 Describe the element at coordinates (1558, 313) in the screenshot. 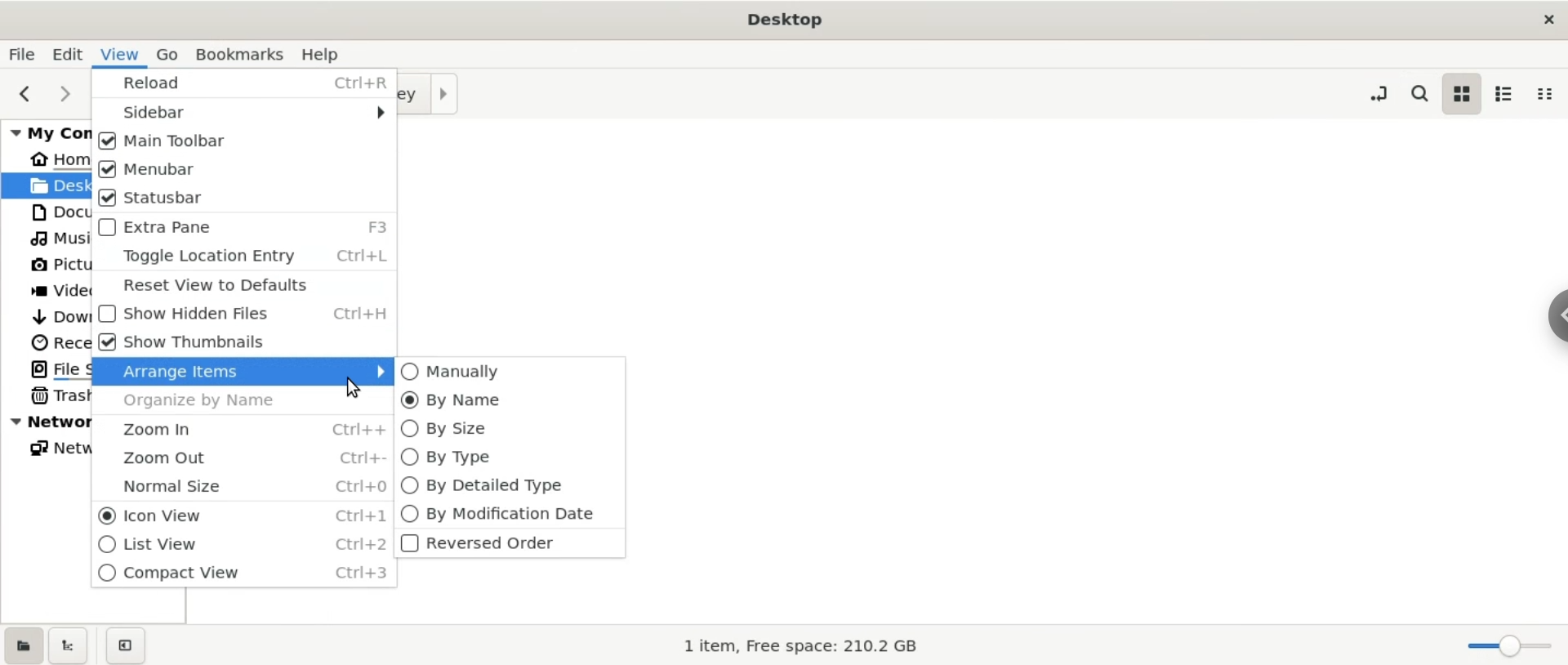

I see `chrome options` at that location.